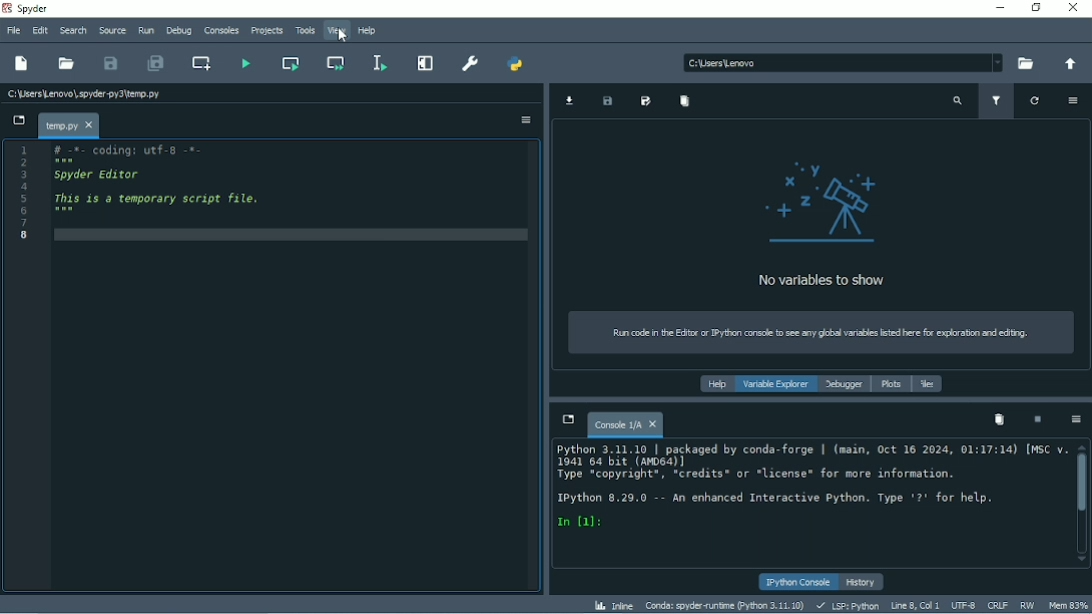 The image size is (1092, 614). Describe the element at coordinates (891, 385) in the screenshot. I see `Plots` at that location.